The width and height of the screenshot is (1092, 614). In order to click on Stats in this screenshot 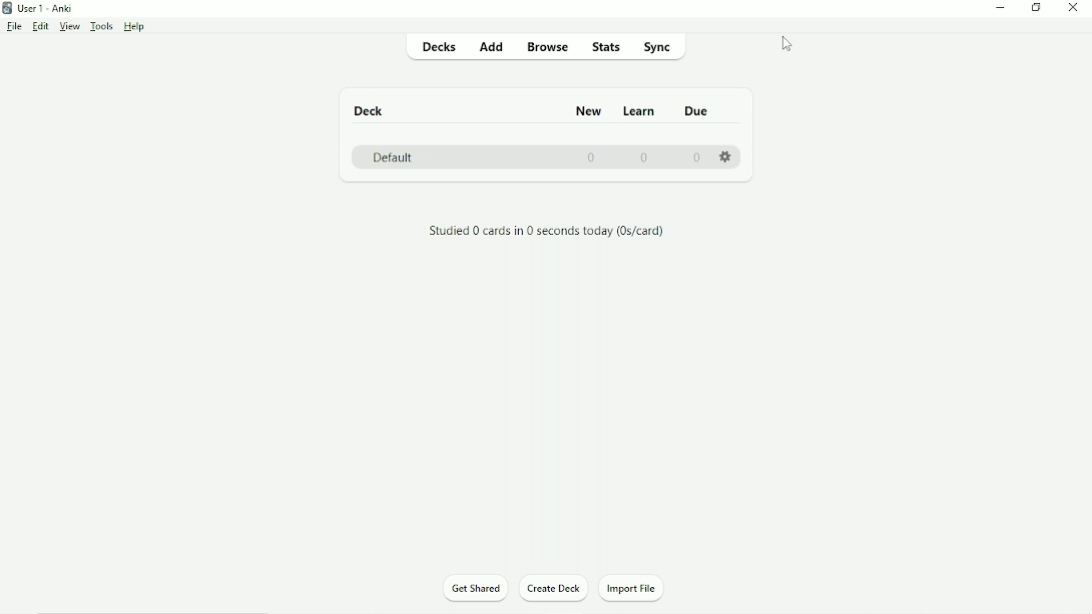, I will do `click(607, 46)`.